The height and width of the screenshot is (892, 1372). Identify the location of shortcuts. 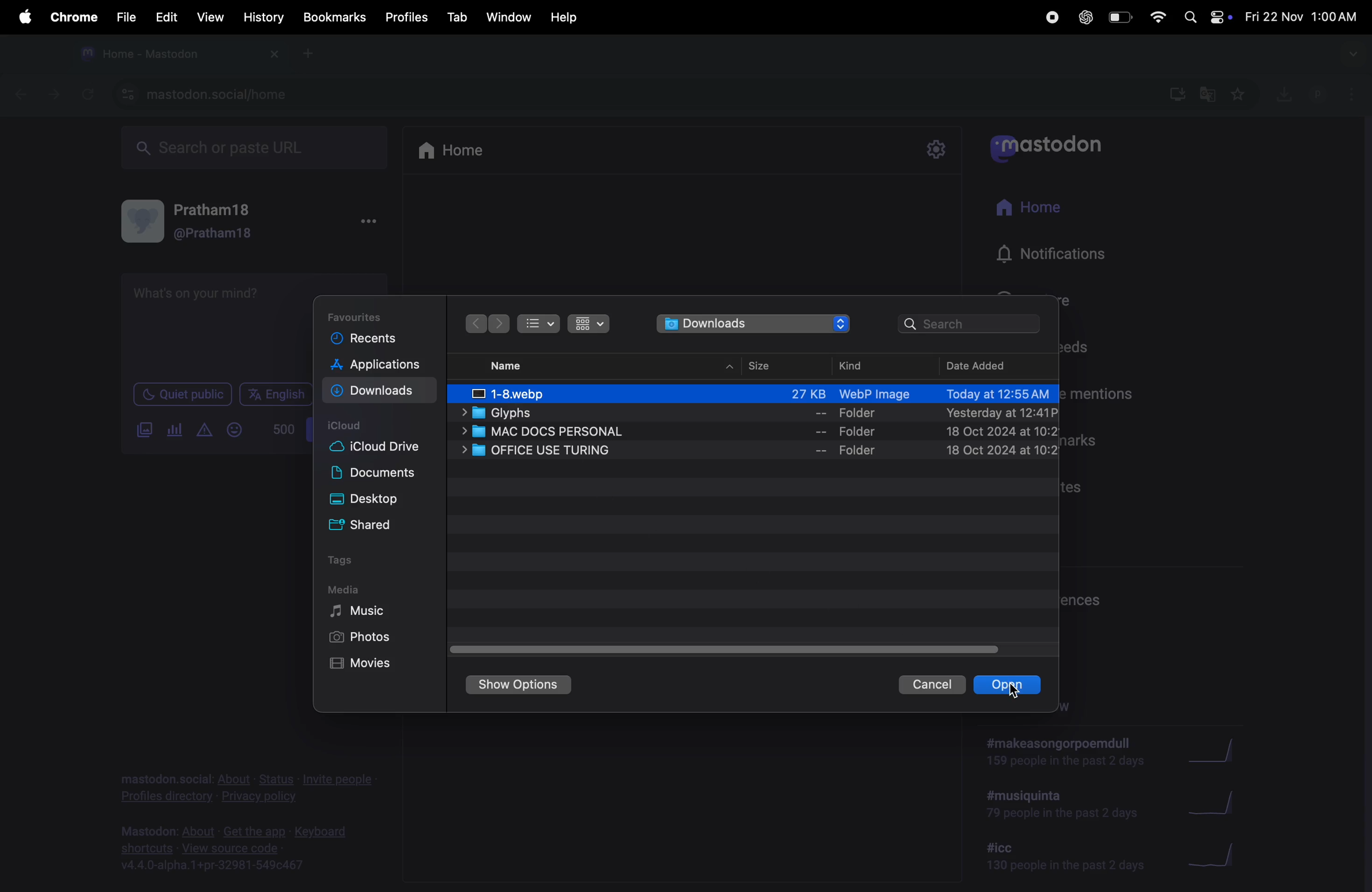
(147, 848).